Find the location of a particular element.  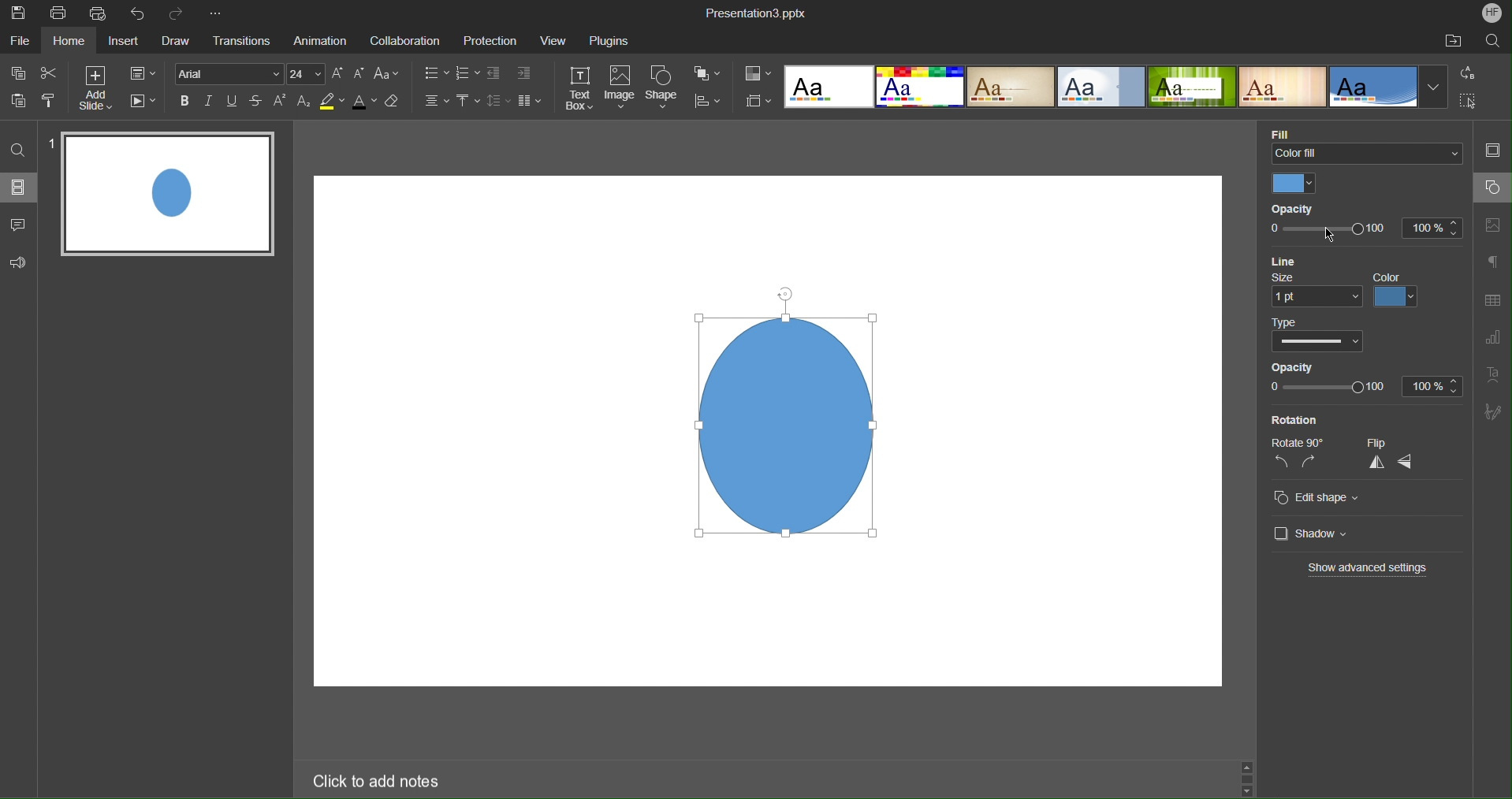

Text Box is located at coordinates (579, 87).